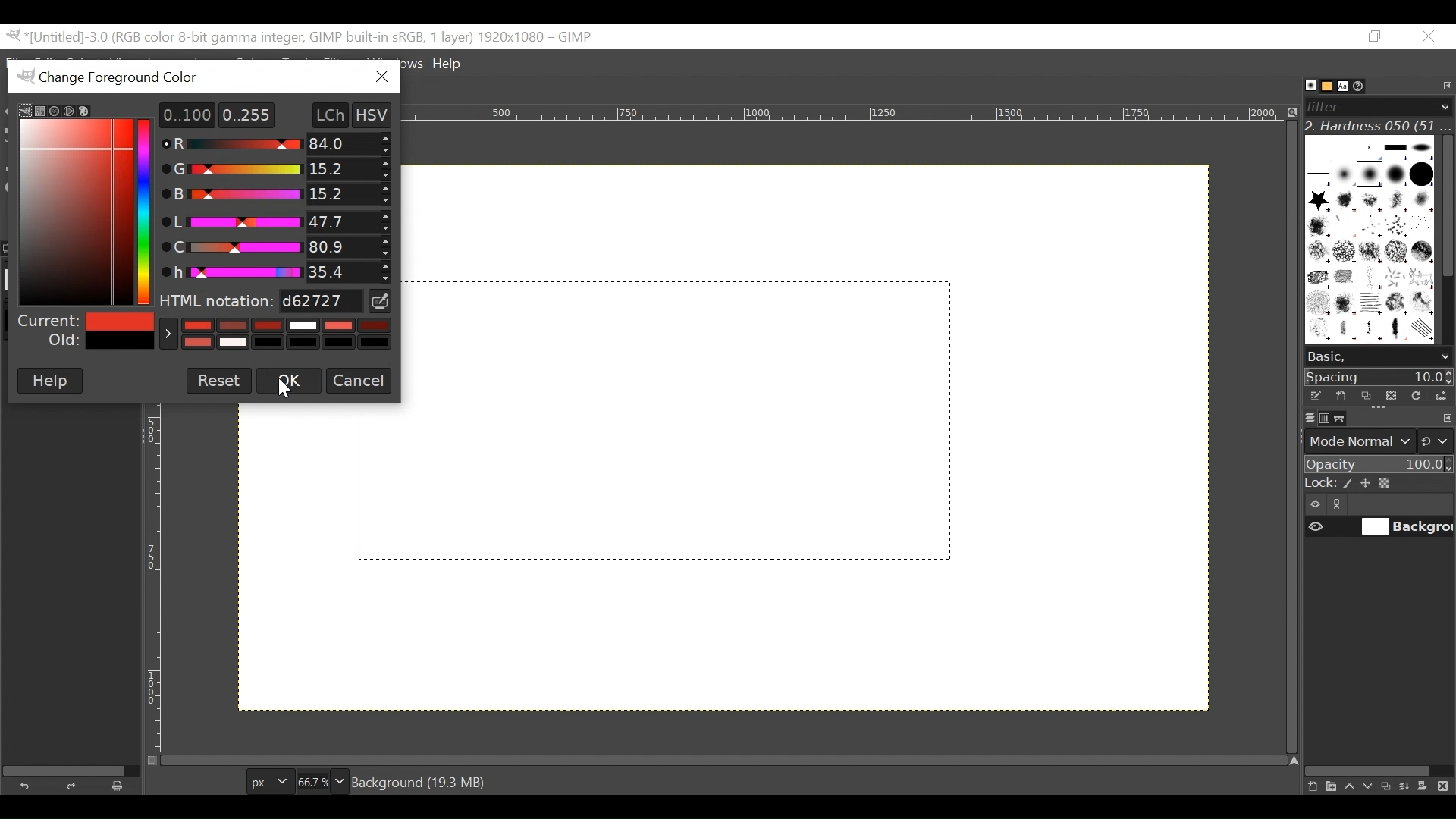 This screenshot has width=1456, height=819. What do you see at coordinates (180, 76) in the screenshot?
I see `Gimp Foreground Color` at bounding box center [180, 76].